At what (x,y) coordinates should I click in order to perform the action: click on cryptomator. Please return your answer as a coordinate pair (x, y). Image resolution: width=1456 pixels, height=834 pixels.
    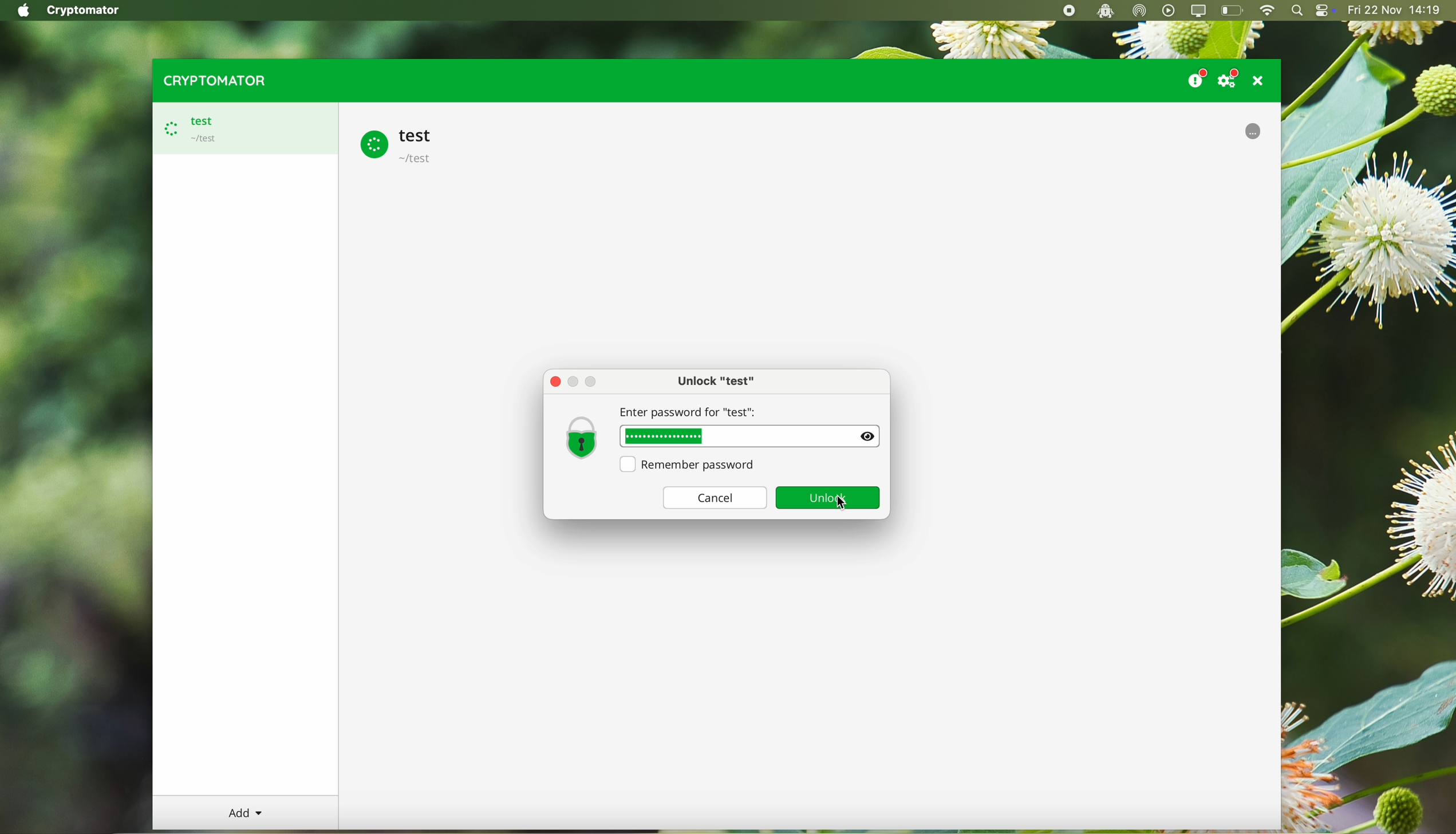
    Looking at the image, I should click on (212, 80).